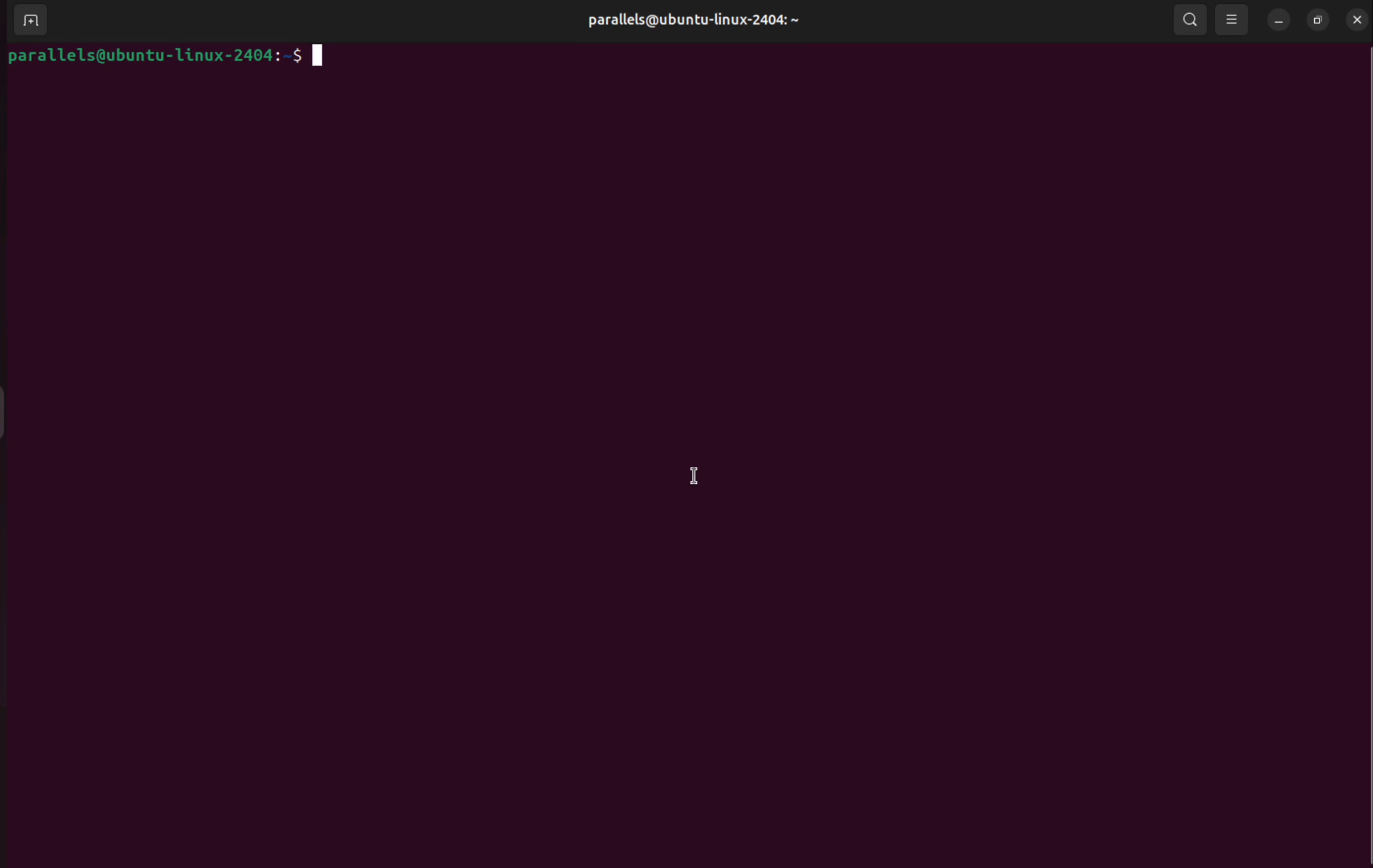 The height and width of the screenshot is (868, 1373). Describe the element at coordinates (1364, 457) in the screenshot. I see `Scrollbar` at that location.